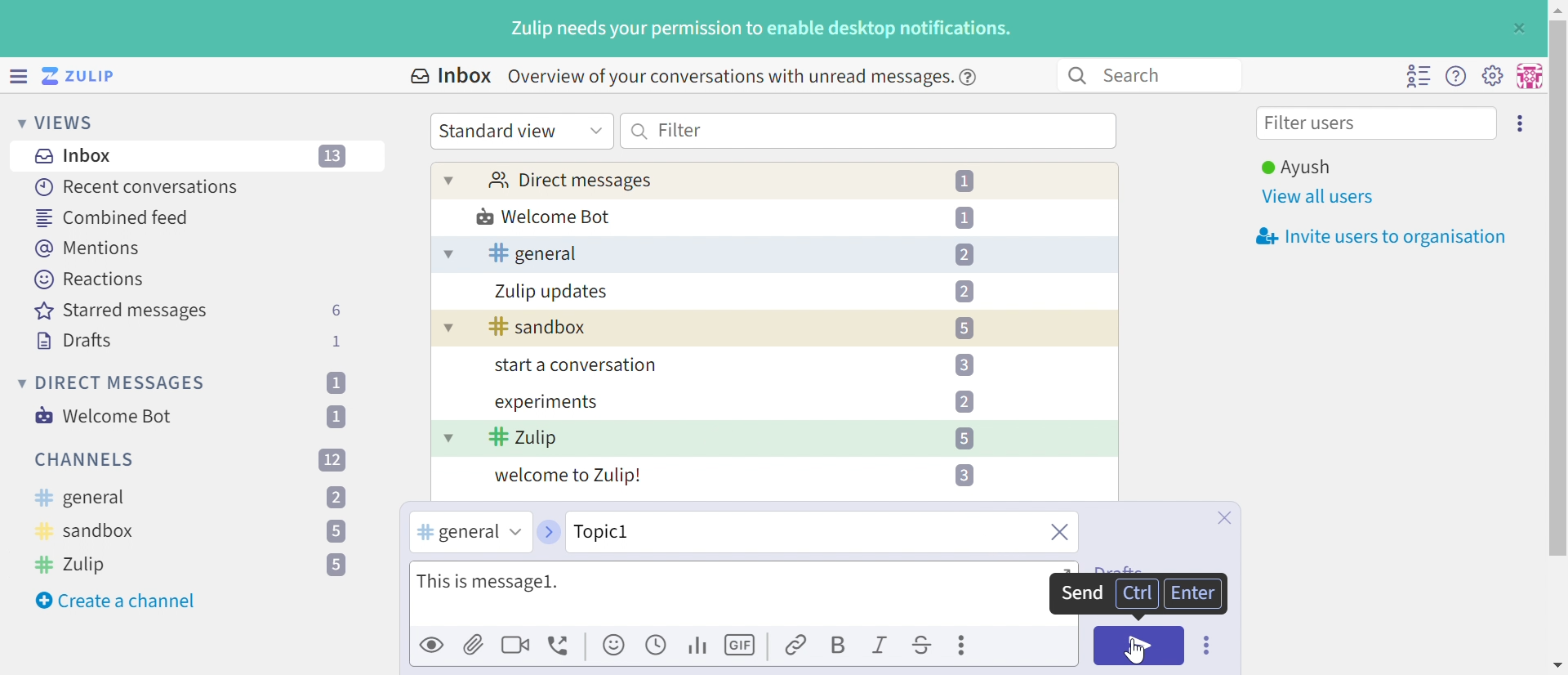 This screenshot has width=1568, height=675. What do you see at coordinates (532, 253) in the screenshot?
I see `general` at bounding box center [532, 253].